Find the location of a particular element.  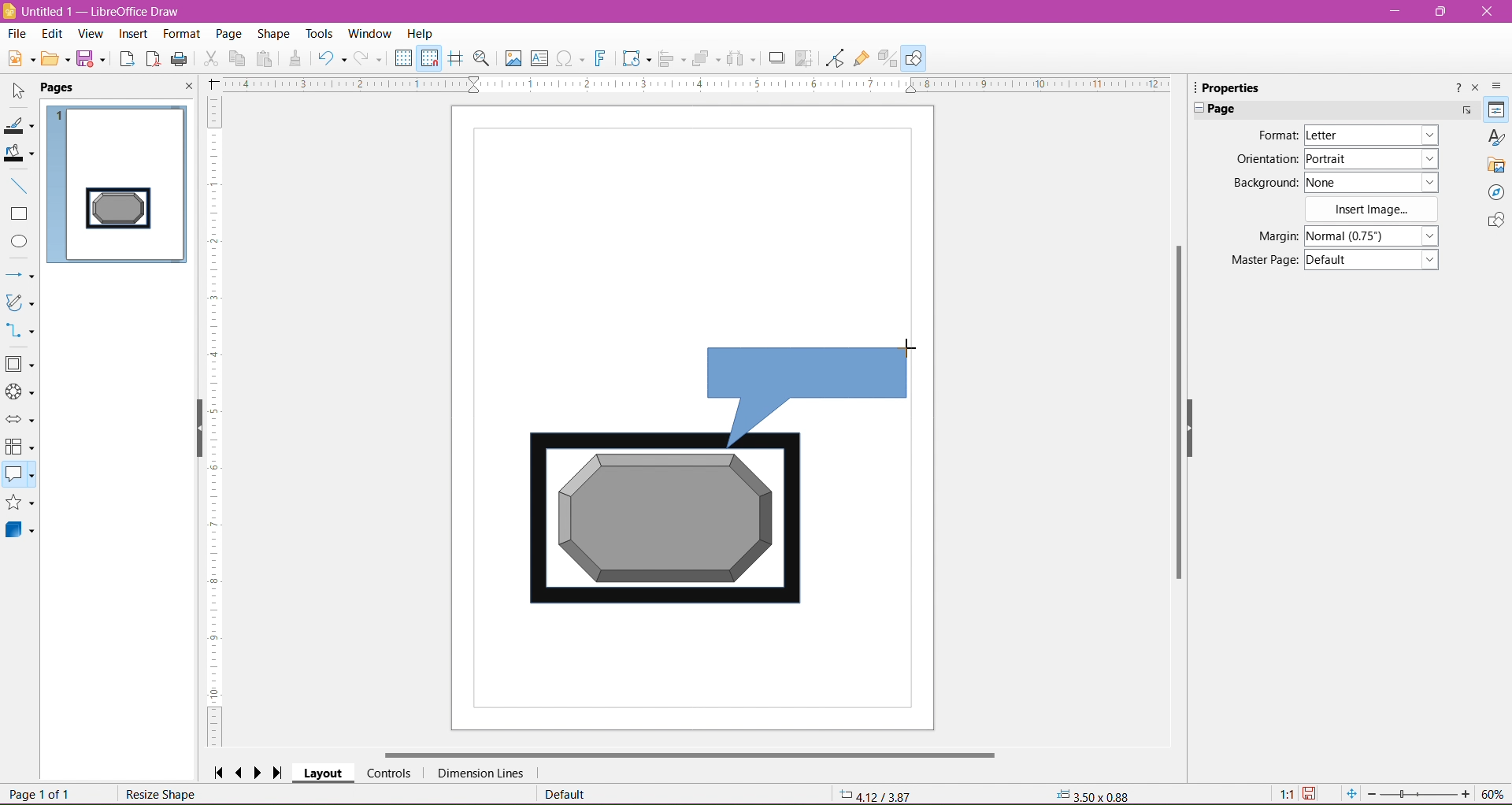

Stars amd banners is located at coordinates (20, 504).